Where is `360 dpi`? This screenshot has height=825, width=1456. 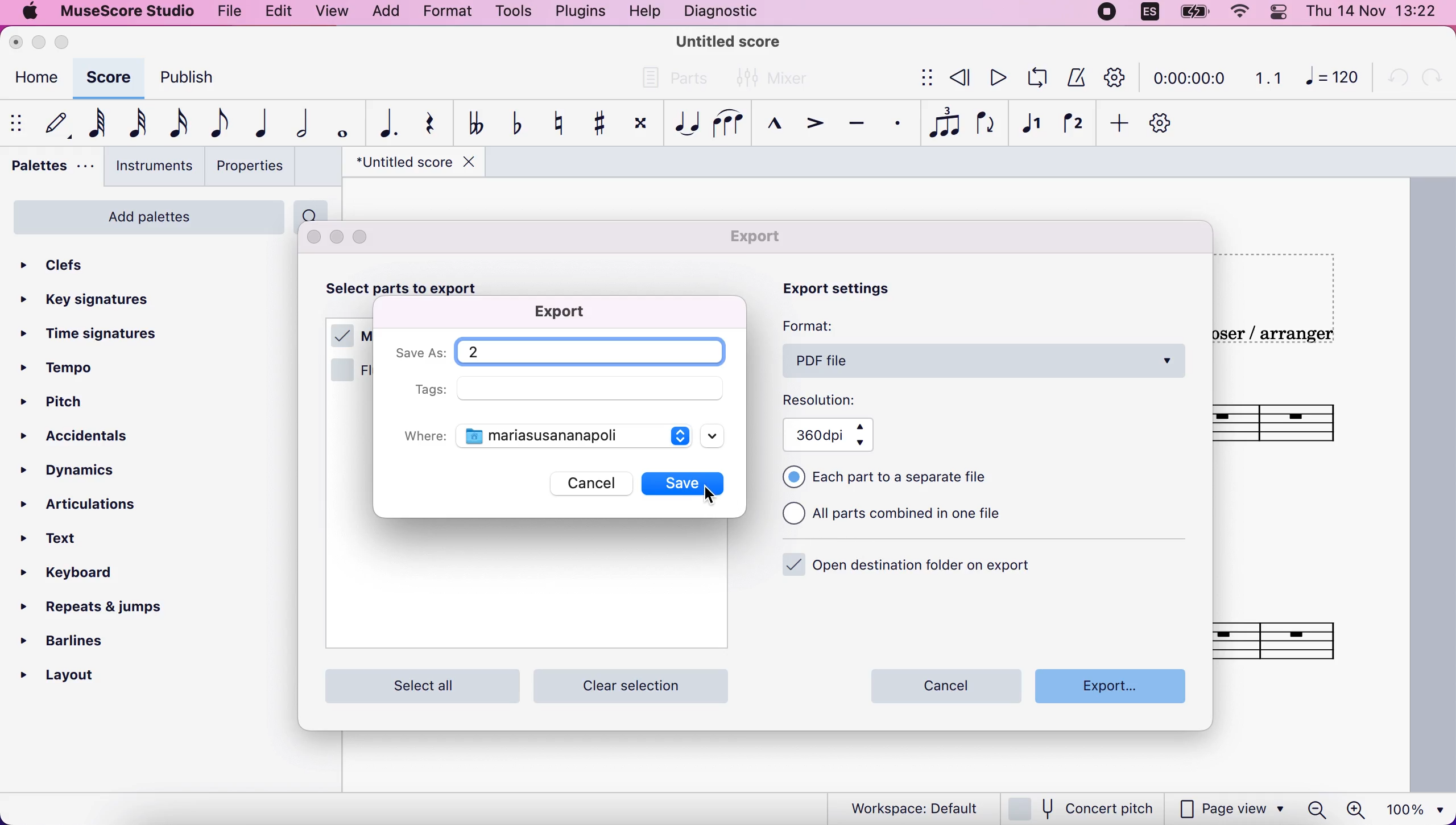 360 dpi is located at coordinates (839, 435).